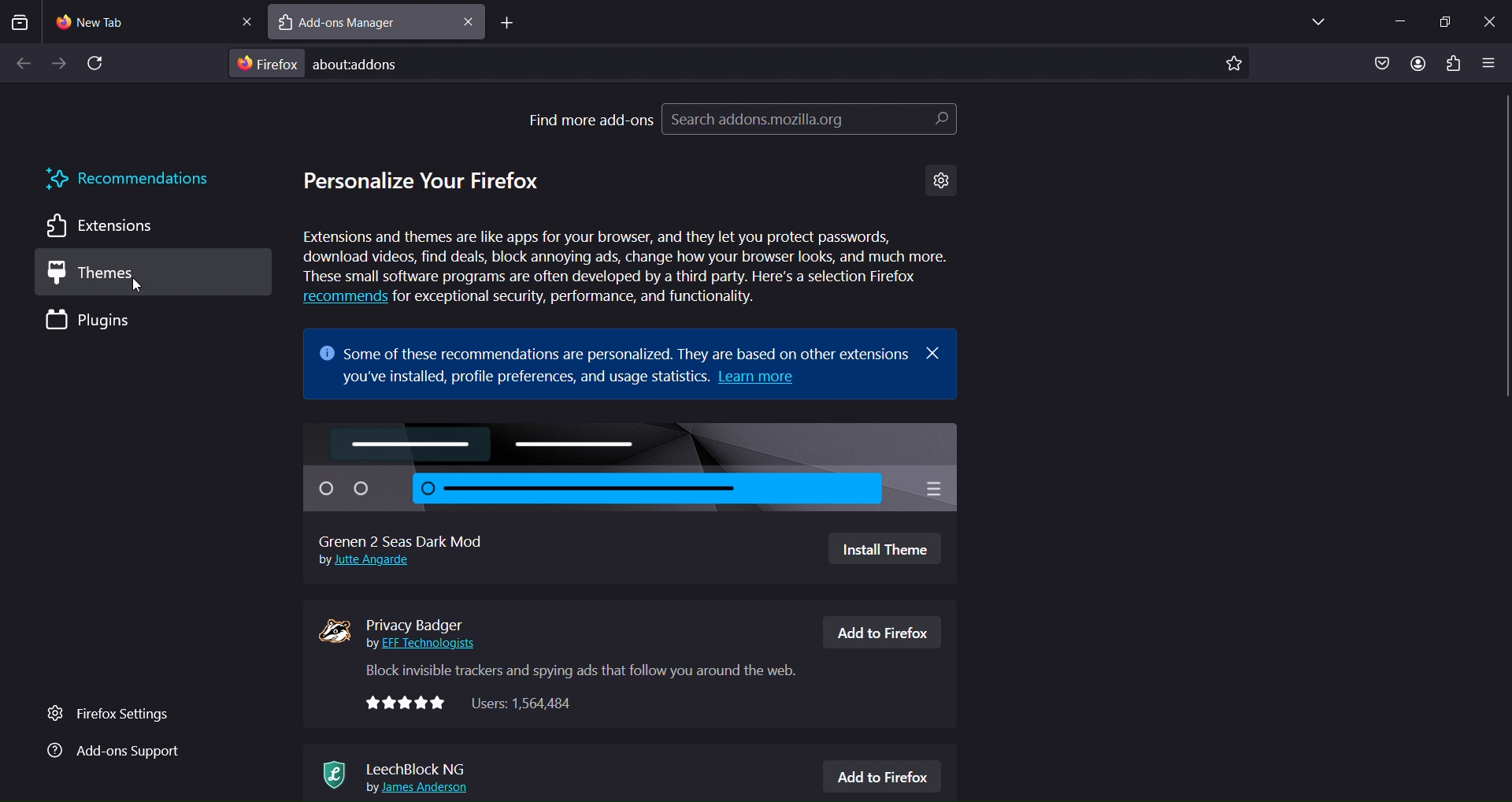  Describe the element at coordinates (343, 297) in the screenshot. I see `recommends` at that location.